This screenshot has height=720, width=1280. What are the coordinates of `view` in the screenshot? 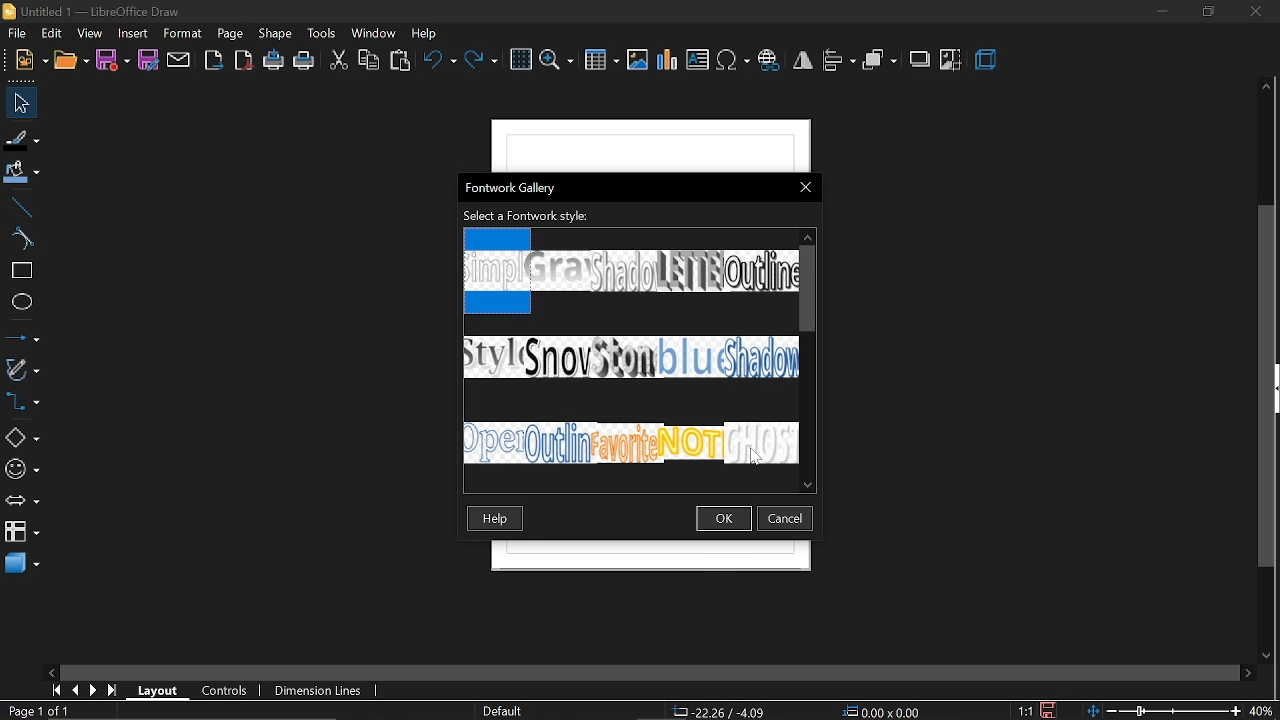 It's located at (90, 33).